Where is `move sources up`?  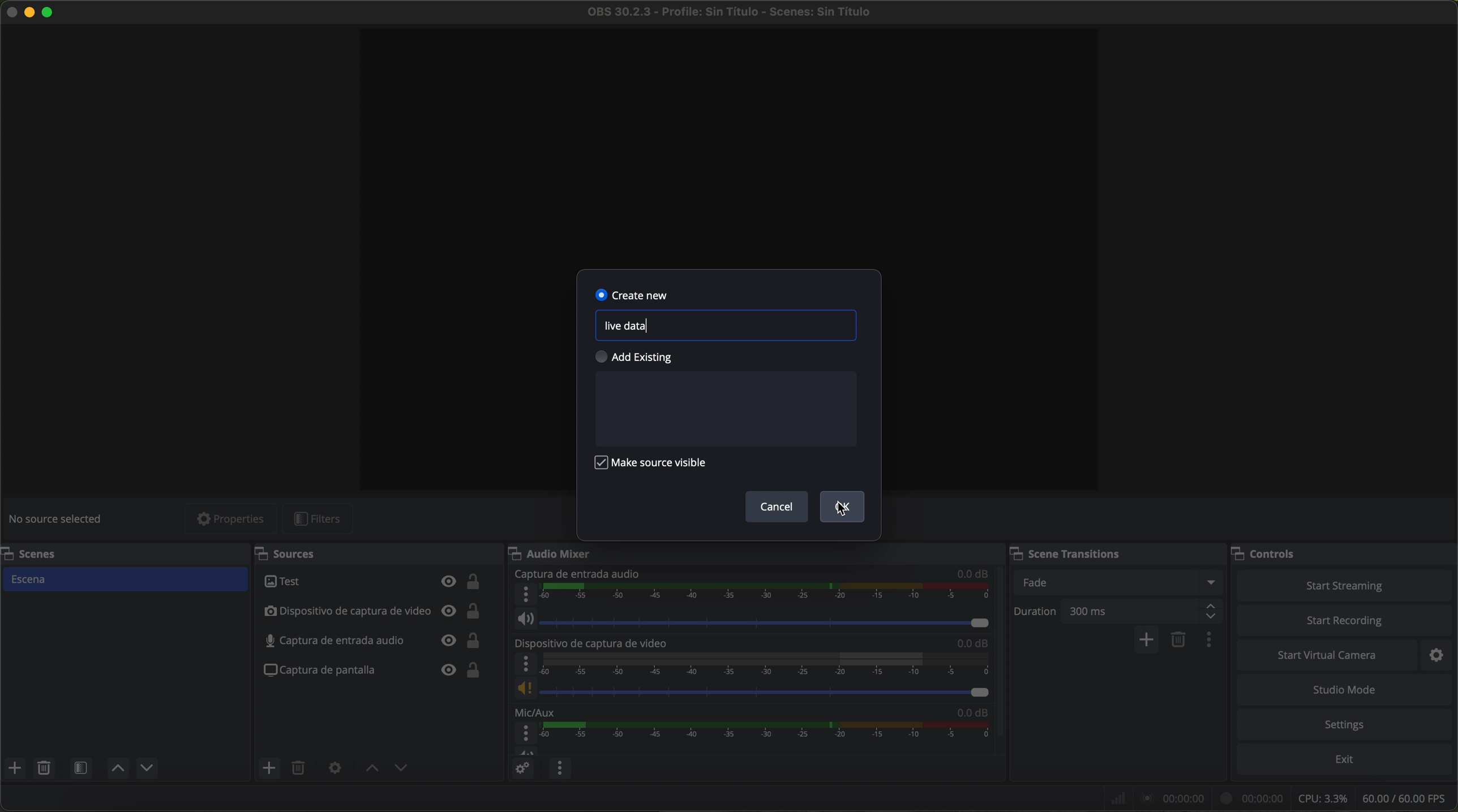 move sources up is located at coordinates (118, 768).